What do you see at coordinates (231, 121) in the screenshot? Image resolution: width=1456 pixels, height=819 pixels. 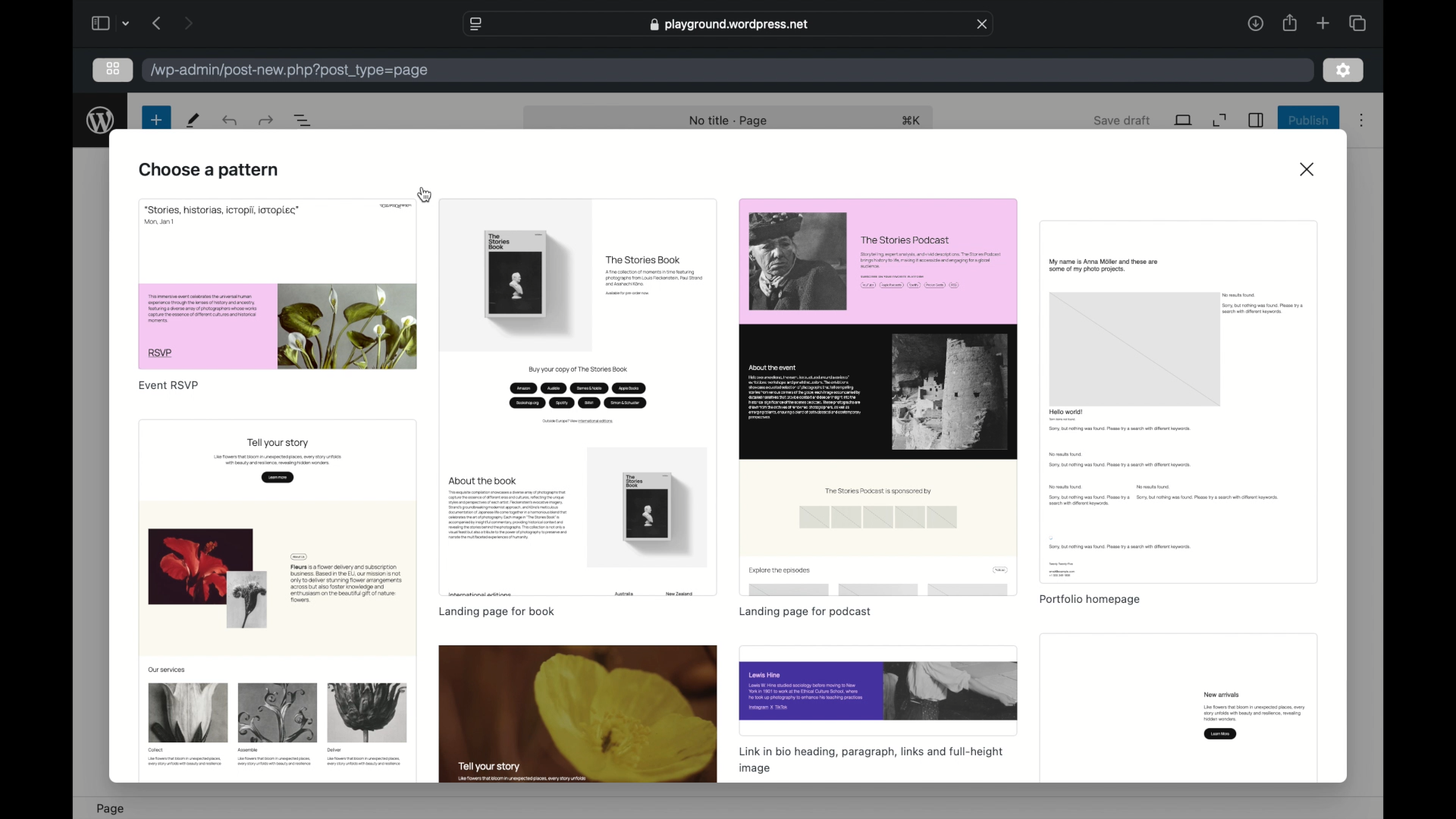 I see `redo` at bounding box center [231, 121].